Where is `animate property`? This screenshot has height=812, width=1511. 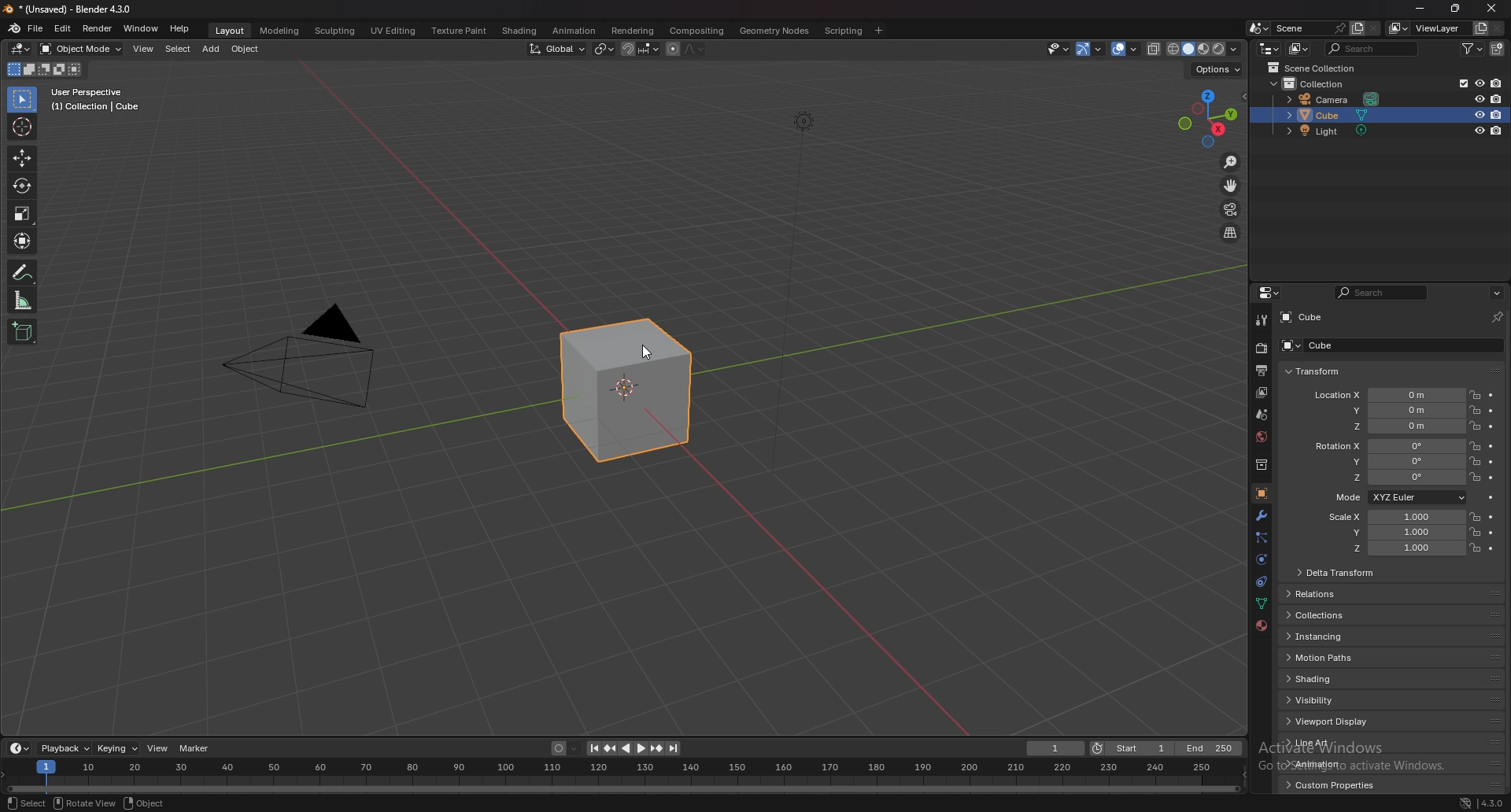 animate property is located at coordinates (1491, 463).